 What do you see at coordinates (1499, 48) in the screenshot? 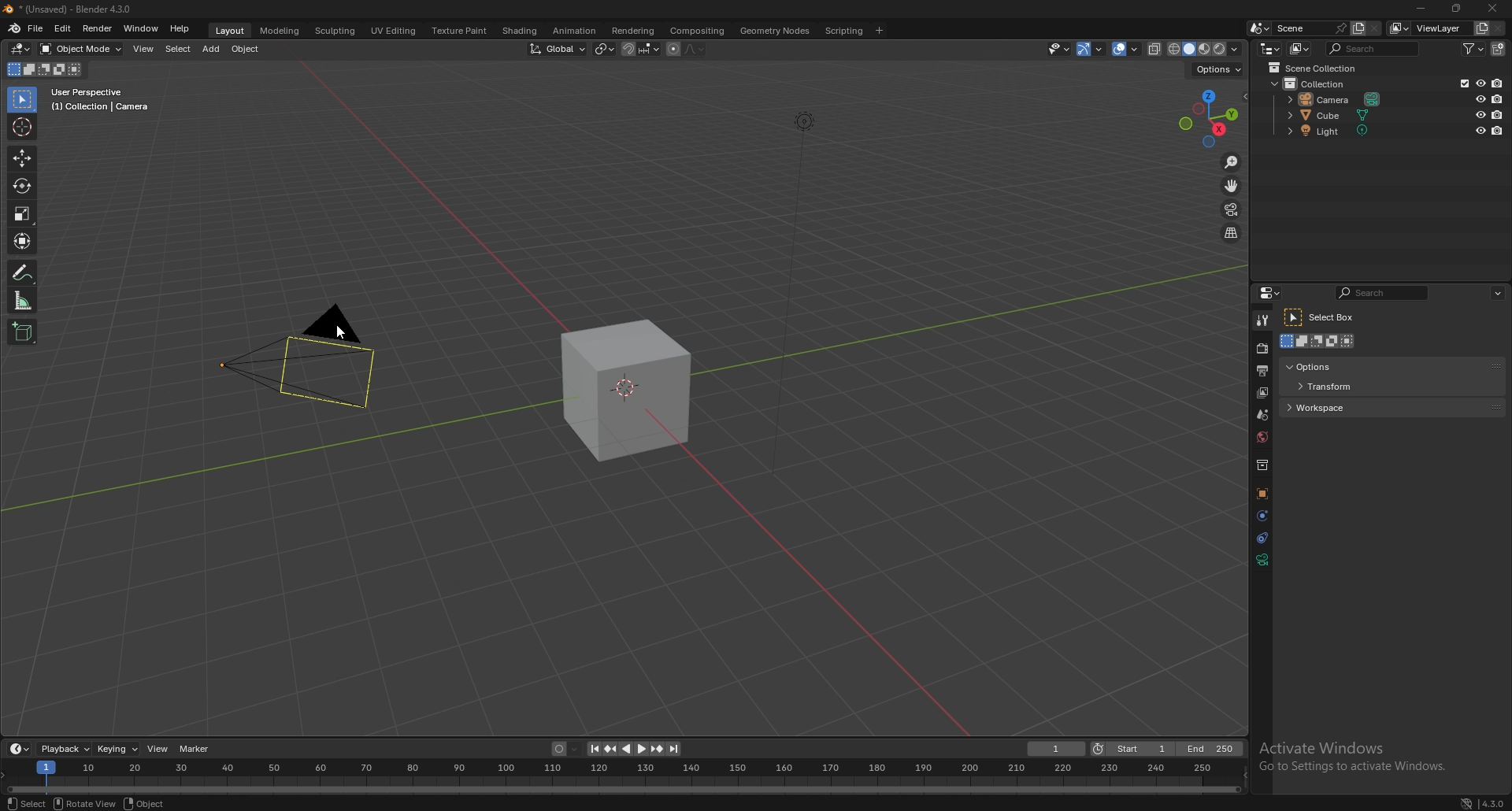
I see `add collection` at bounding box center [1499, 48].